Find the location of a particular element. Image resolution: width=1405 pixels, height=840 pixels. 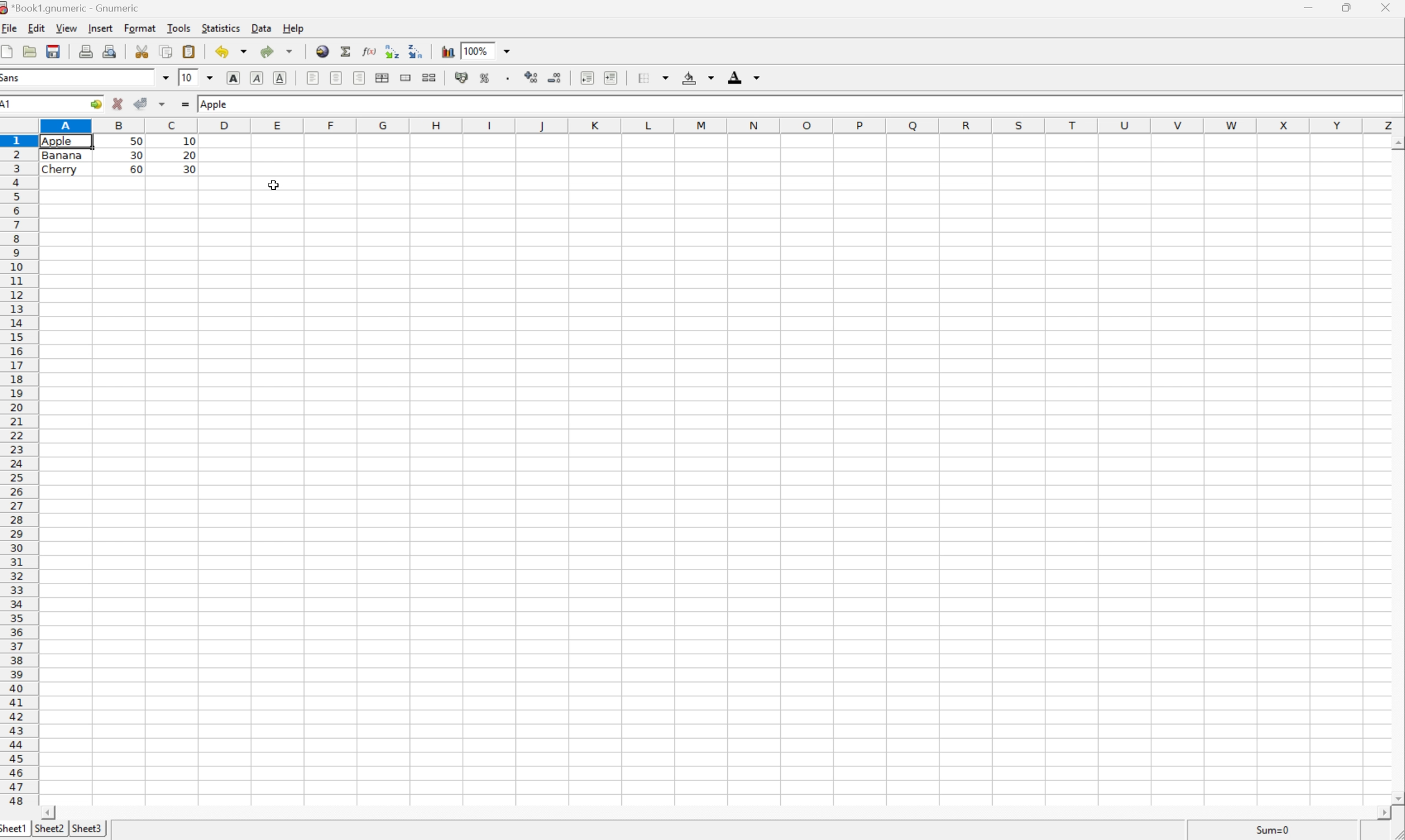

align left is located at coordinates (310, 78).